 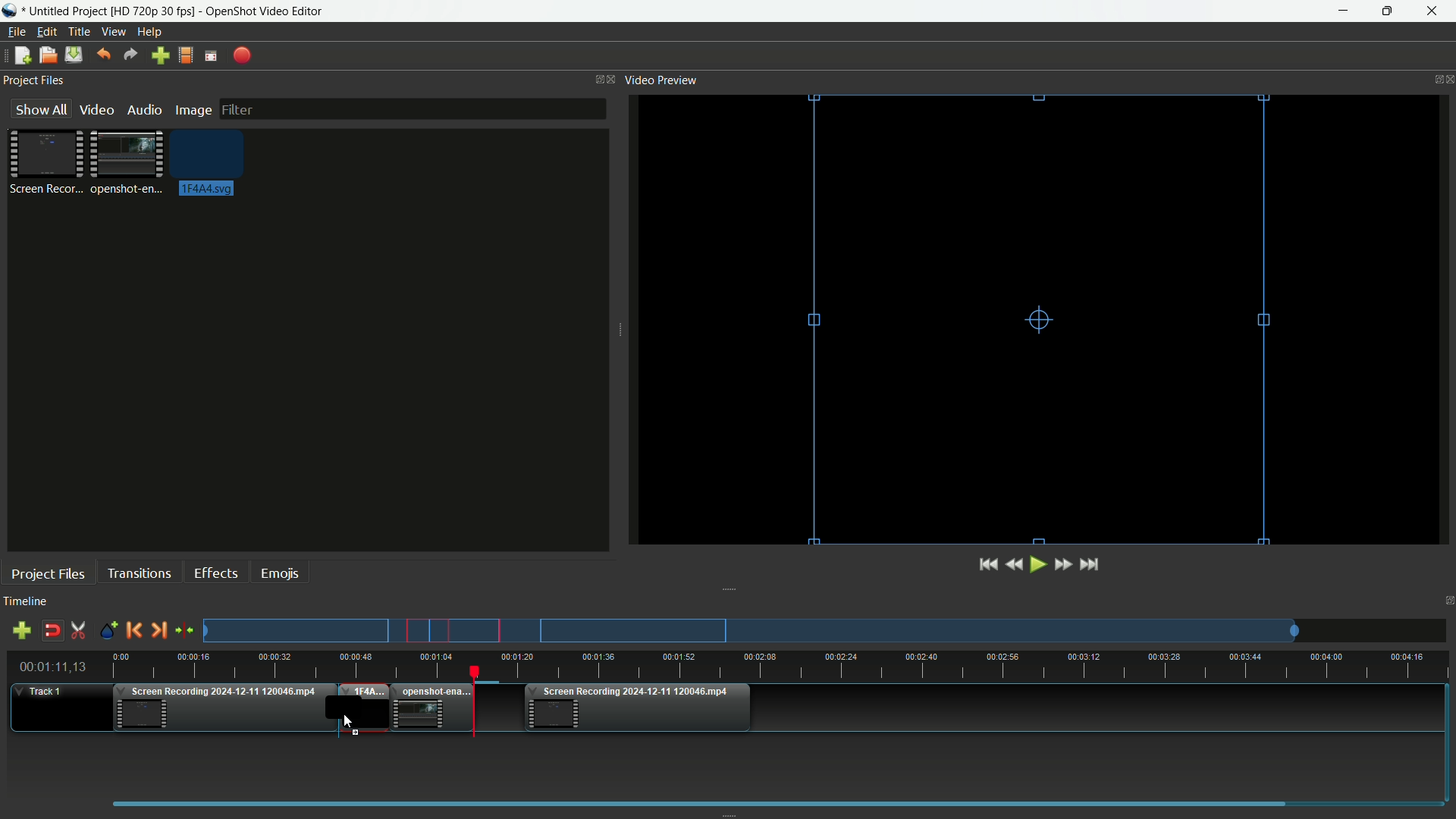 What do you see at coordinates (1387, 11) in the screenshot?
I see `maximize` at bounding box center [1387, 11].